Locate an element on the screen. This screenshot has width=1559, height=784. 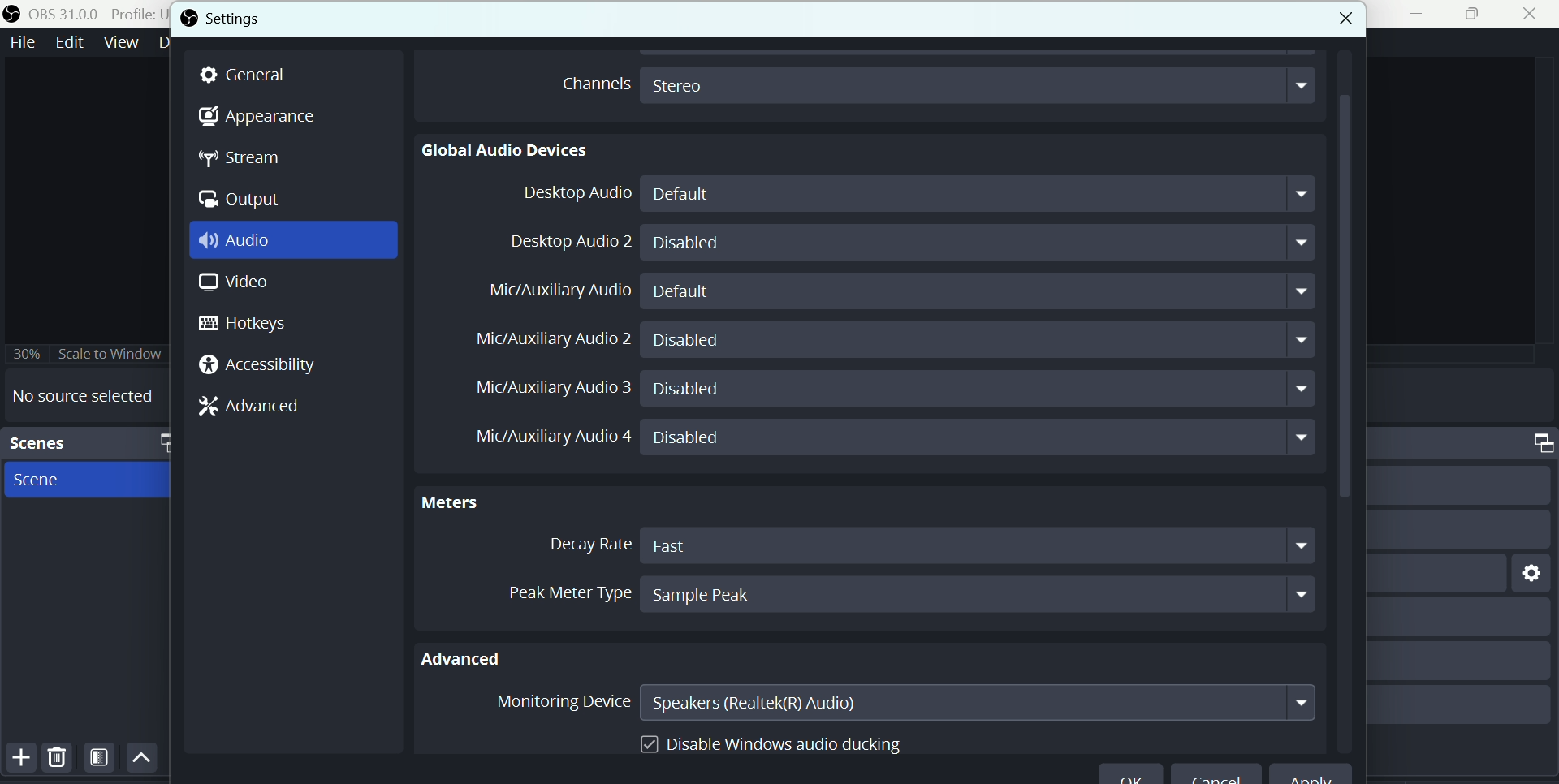
Audio is located at coordinates (242, 242).